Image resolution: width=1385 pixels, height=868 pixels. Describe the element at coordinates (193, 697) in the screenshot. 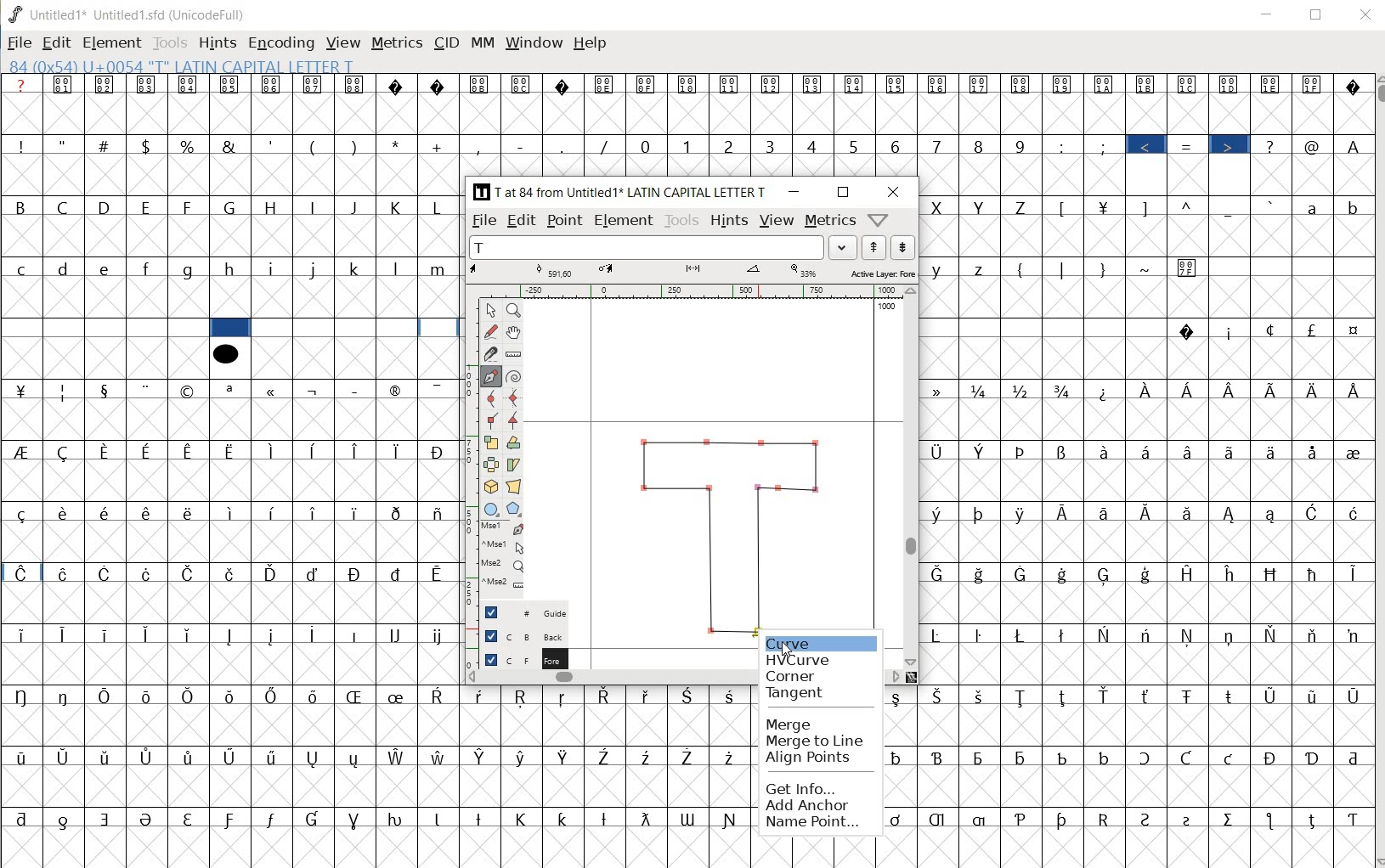

I see `Symbol` at that location.